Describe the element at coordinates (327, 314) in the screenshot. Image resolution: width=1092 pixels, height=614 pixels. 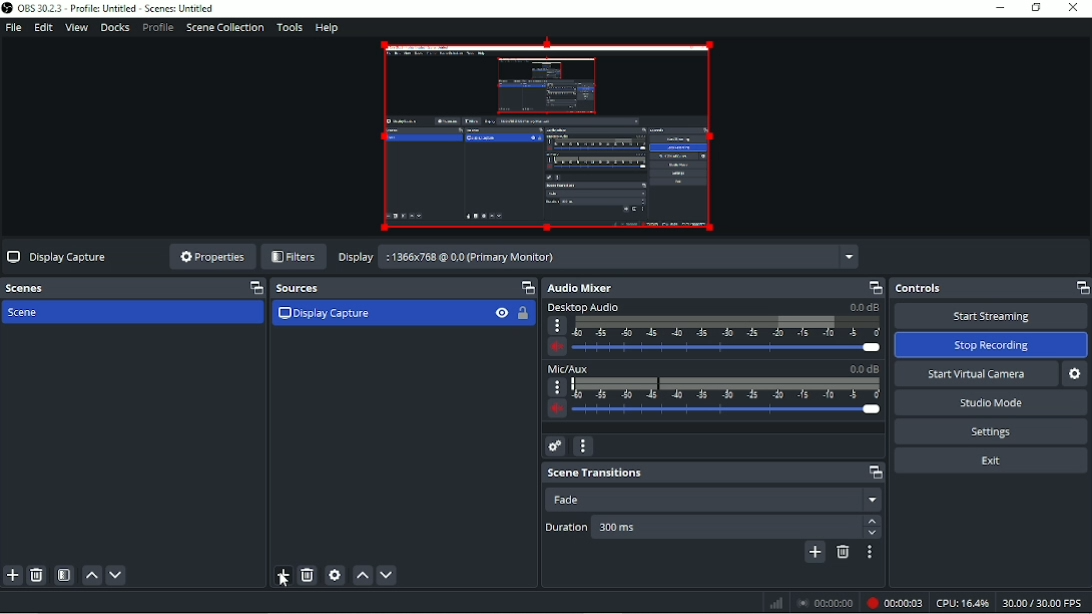
I see `Display capture` at that location.